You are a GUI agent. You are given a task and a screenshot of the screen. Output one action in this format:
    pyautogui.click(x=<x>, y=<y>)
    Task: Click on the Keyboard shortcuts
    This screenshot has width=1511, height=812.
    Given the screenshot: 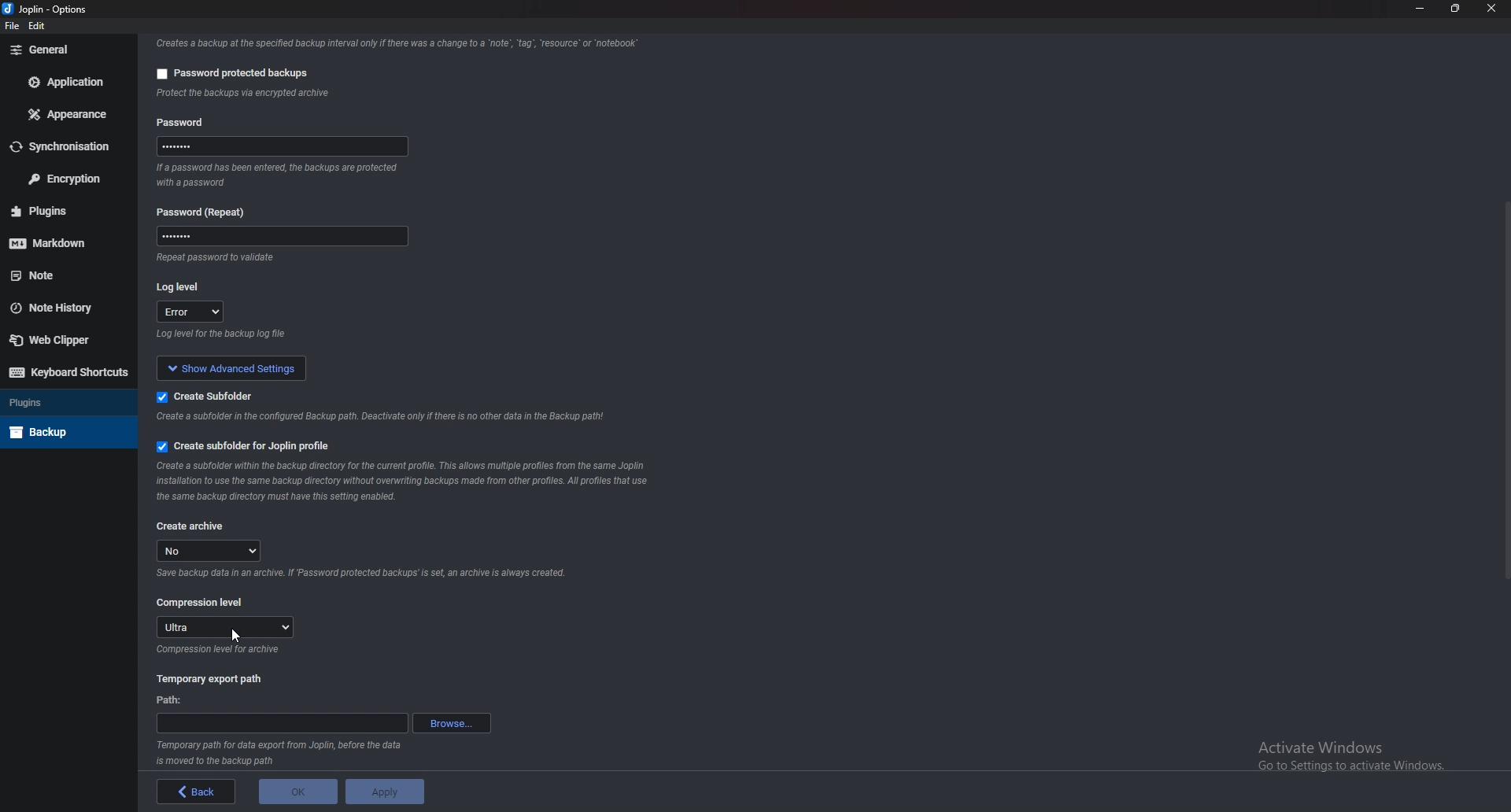 What is the action you would take?
    pyautogui.click(x=65, y=373)
    